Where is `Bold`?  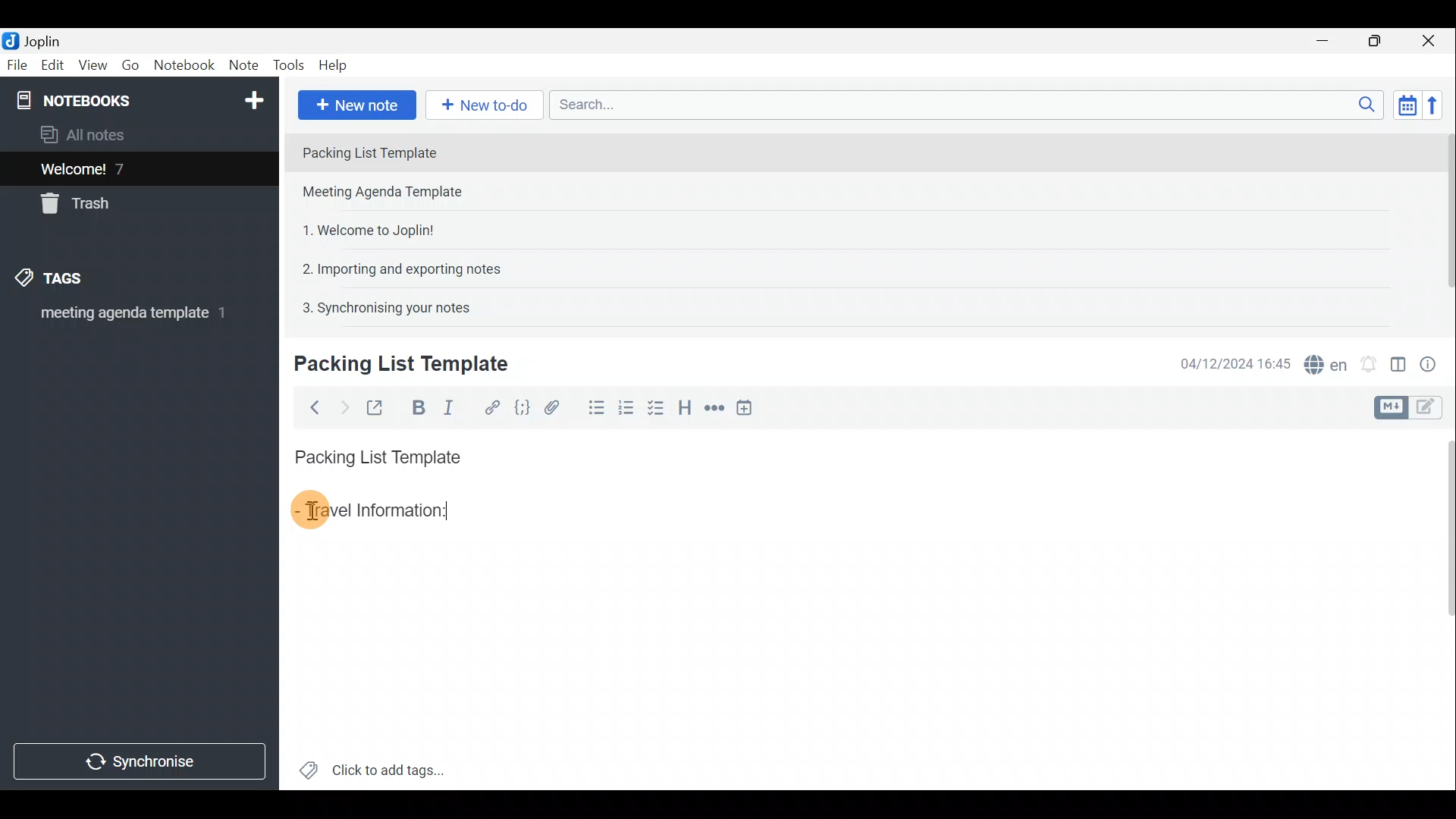
Bold is located at coordinates (416, 406).